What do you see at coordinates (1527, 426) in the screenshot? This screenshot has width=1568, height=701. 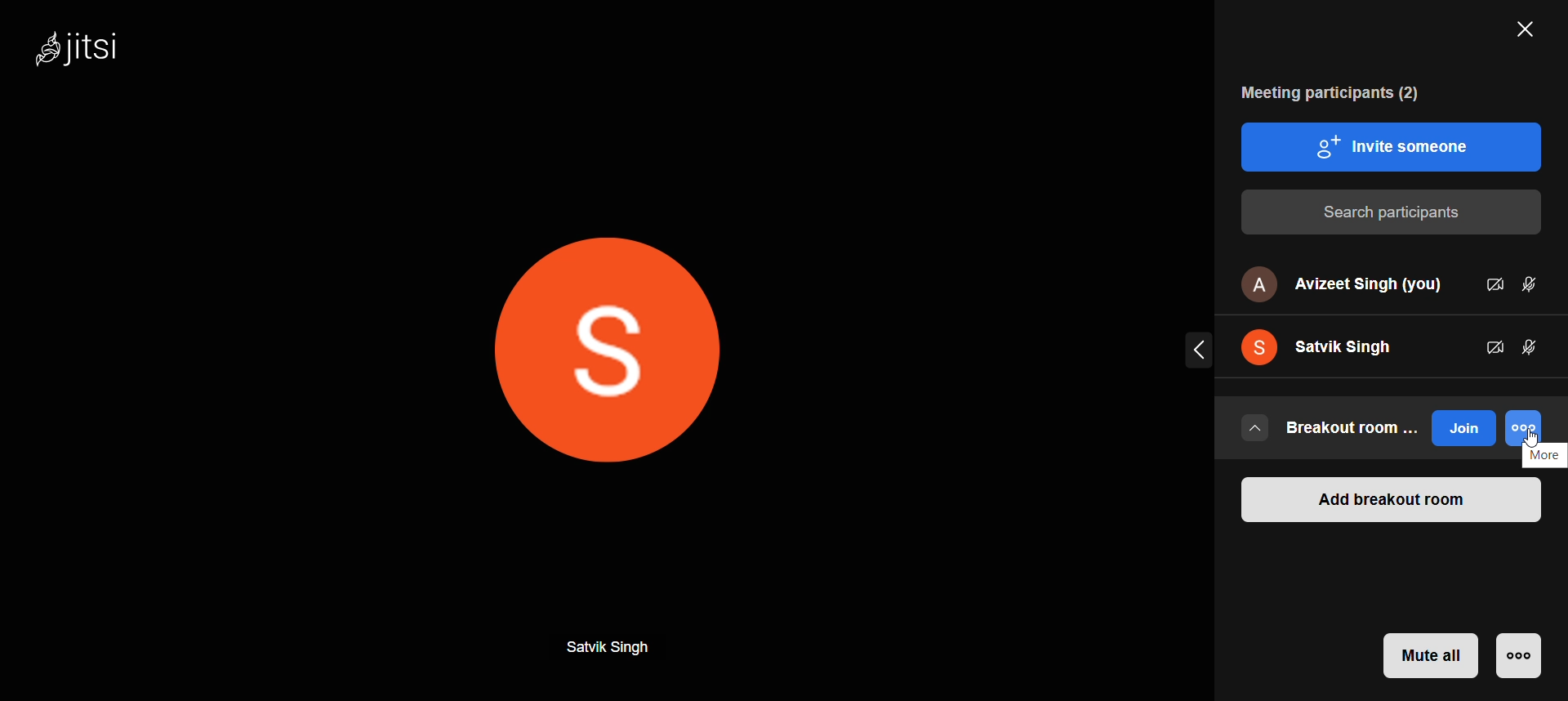 I see `more` at bounding box center [1527, 426].